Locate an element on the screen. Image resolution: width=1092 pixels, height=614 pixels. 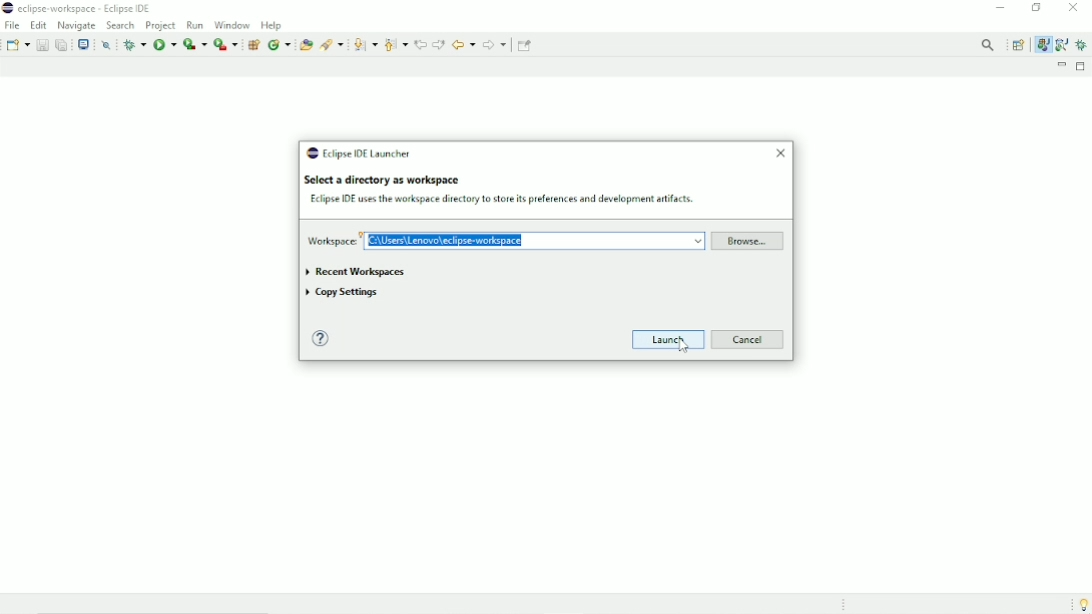
Select a directory as workspace is located at coordinates (381, 180).